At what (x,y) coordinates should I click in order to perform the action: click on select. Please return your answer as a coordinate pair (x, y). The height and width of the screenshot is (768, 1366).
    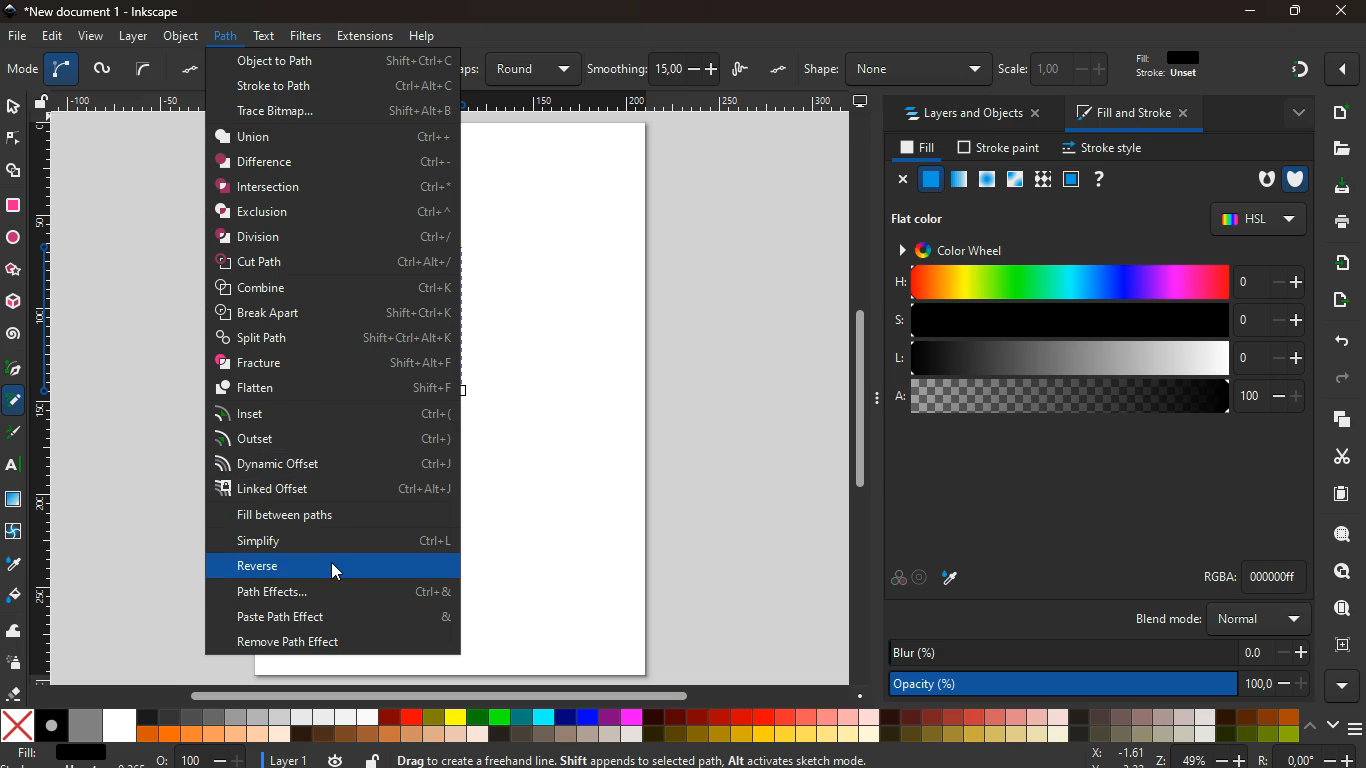
    Looking at the image, I should click on (12, 105).